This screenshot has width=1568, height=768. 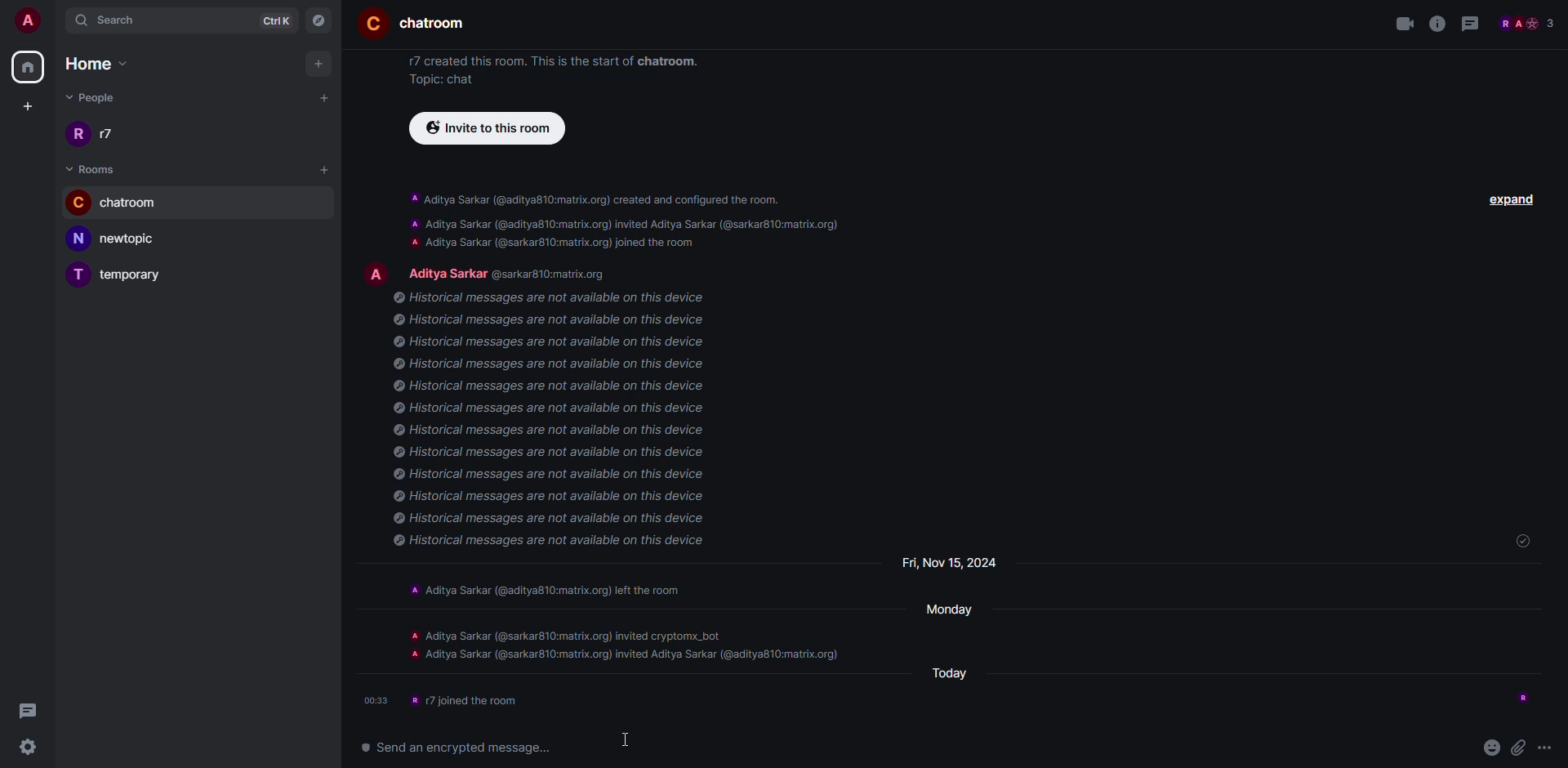 I want to click on home, so click(x=105, y=65).